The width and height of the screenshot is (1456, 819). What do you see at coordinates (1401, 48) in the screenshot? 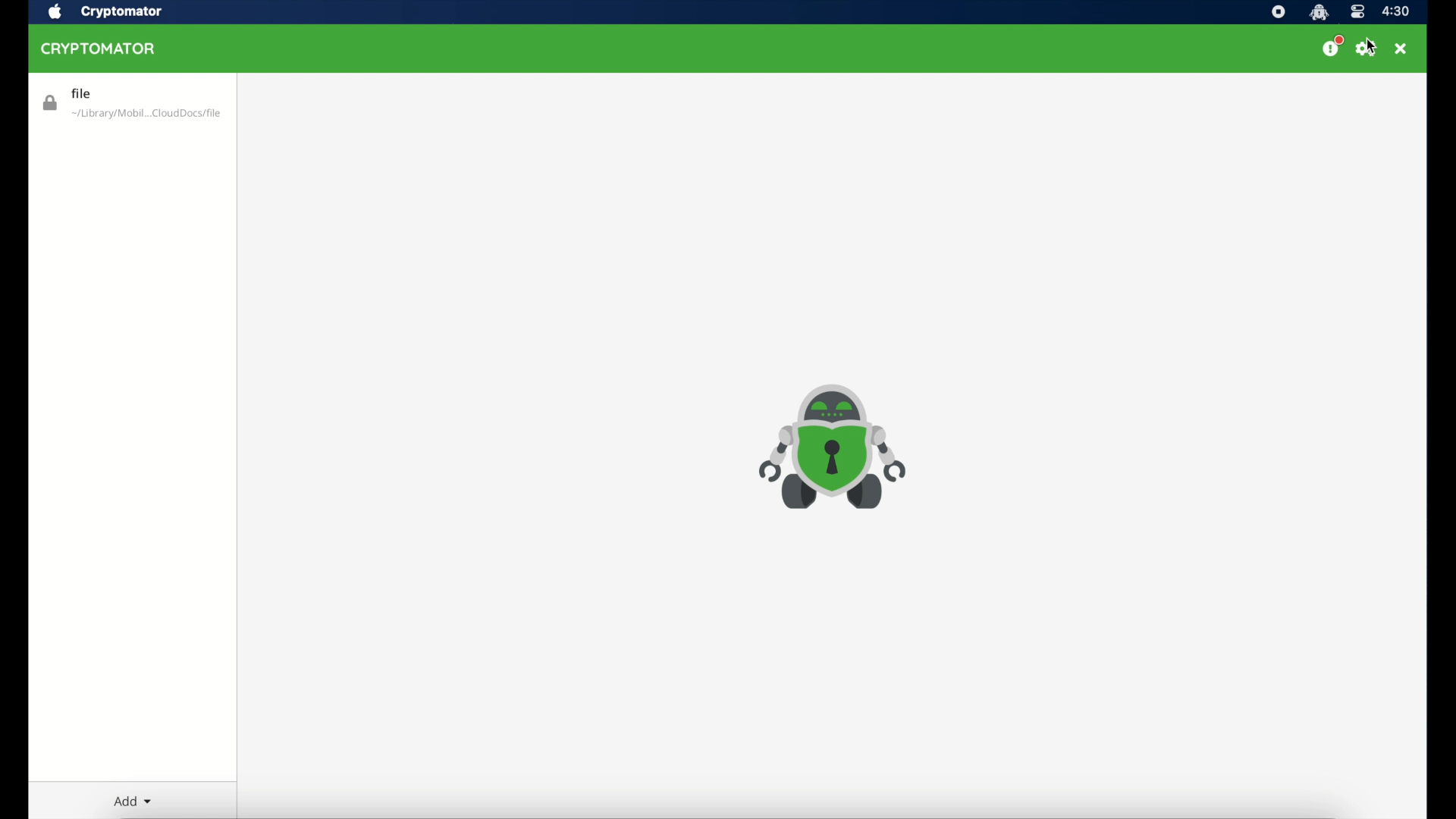
I see `close` at bounding box center [1401, 48].